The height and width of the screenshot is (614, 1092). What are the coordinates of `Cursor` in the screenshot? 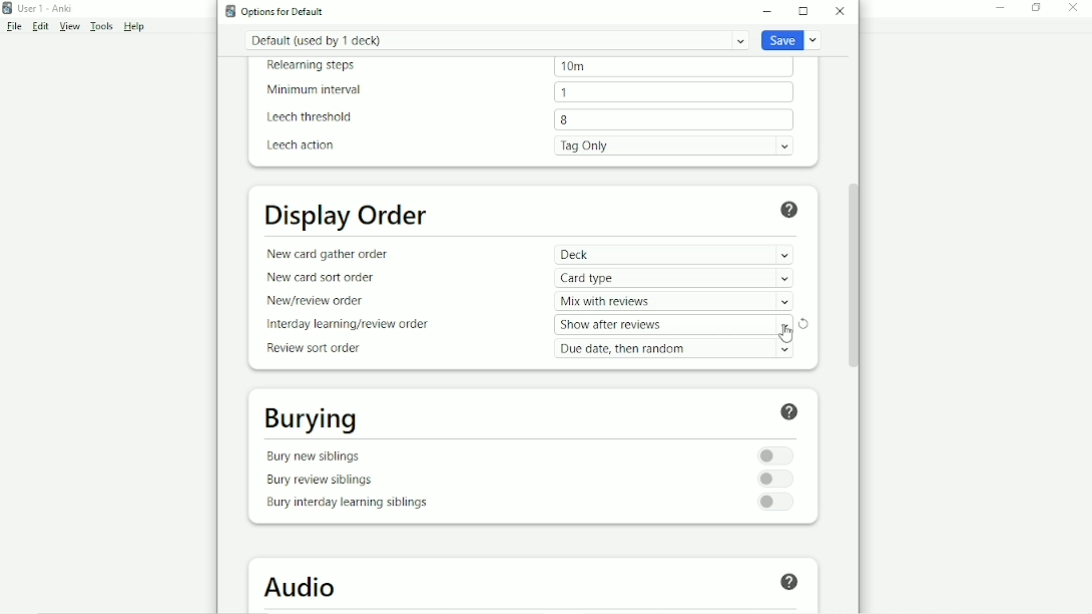 It's located at (786, 333).